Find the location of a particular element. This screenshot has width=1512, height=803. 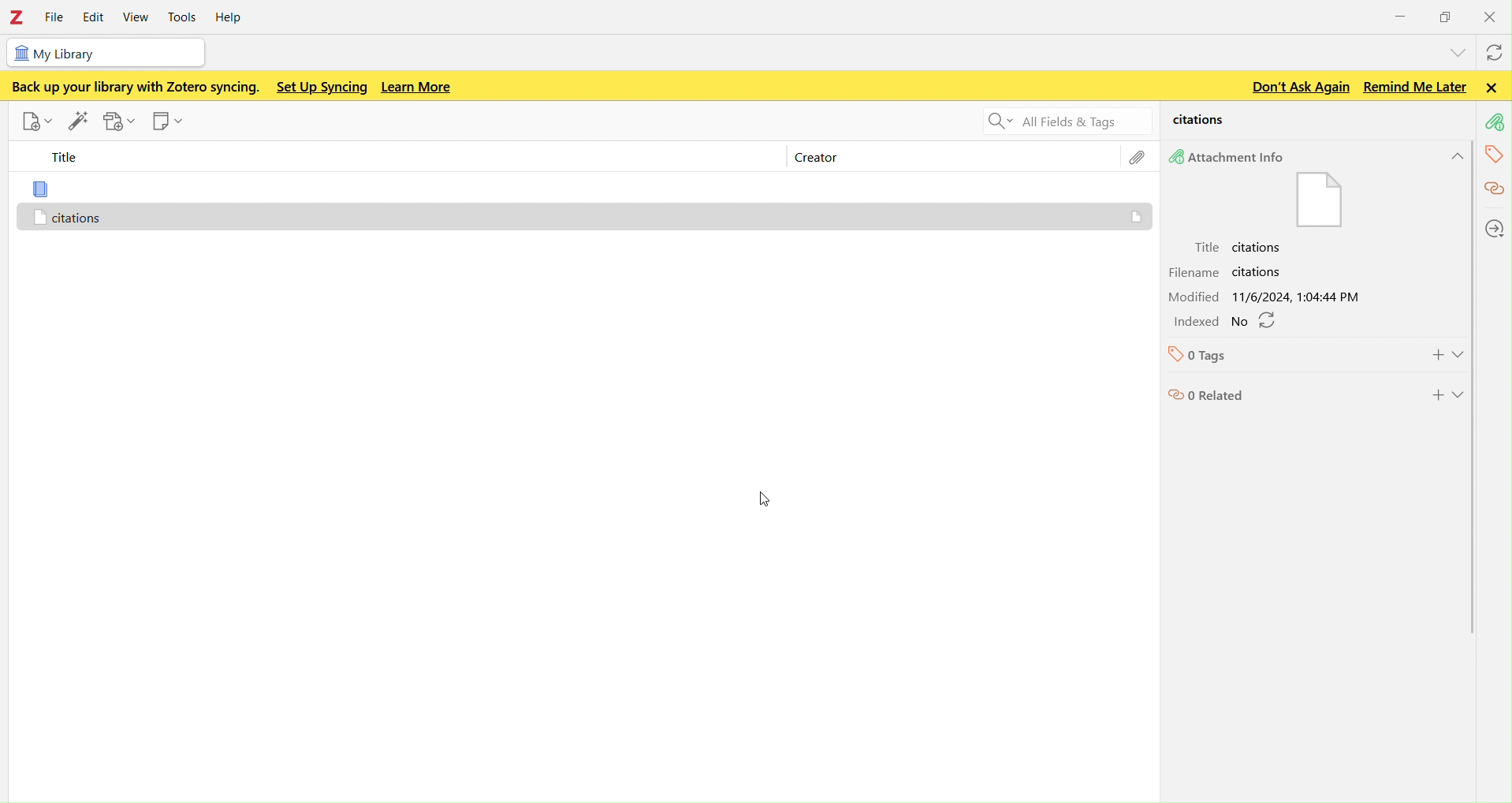

new note is located at coordinates (169, 119).